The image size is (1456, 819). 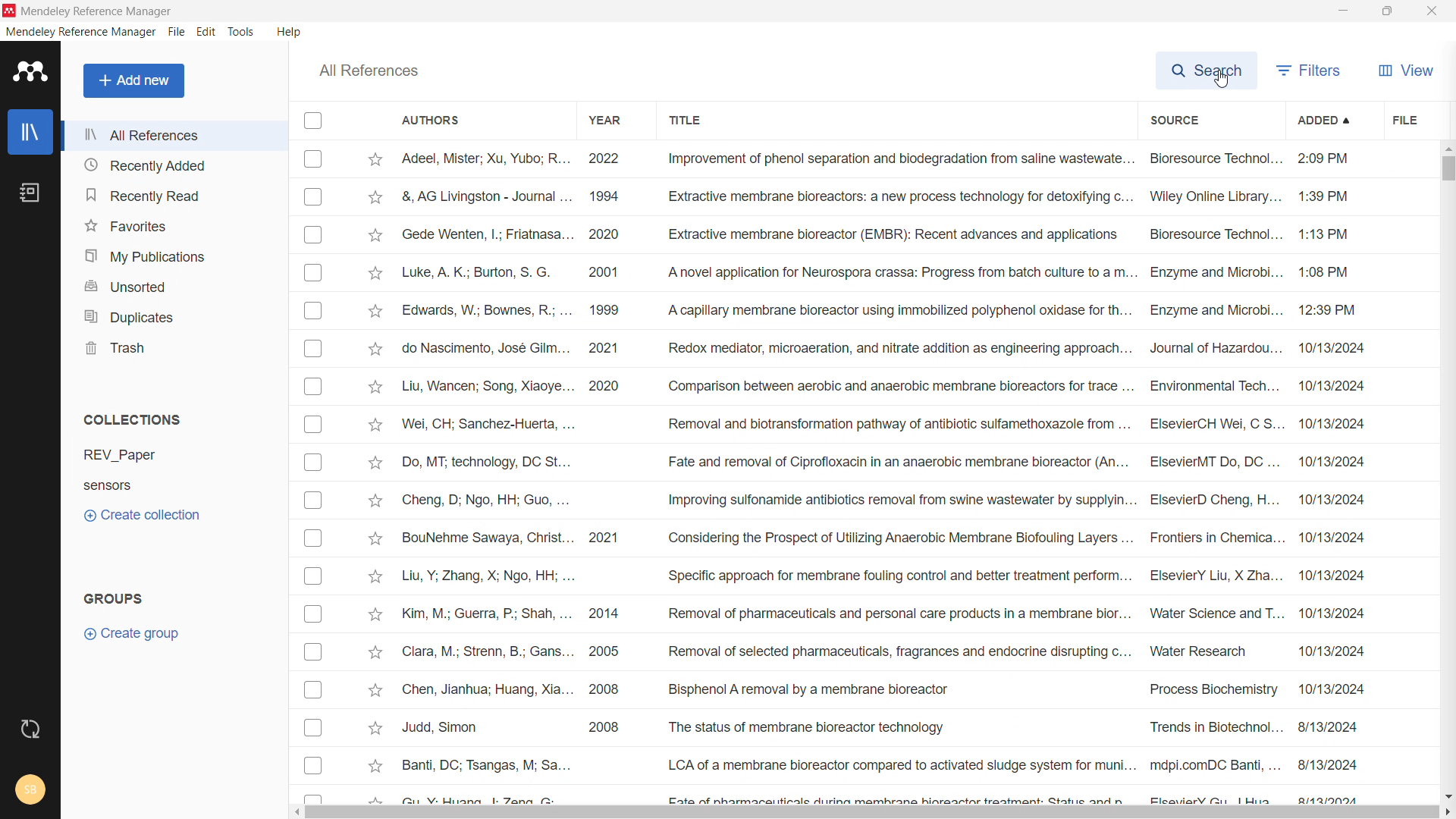 What do you see at coordinates (370, 70) in the screenshot?
I see `all references` at bounding box center [370, 70].